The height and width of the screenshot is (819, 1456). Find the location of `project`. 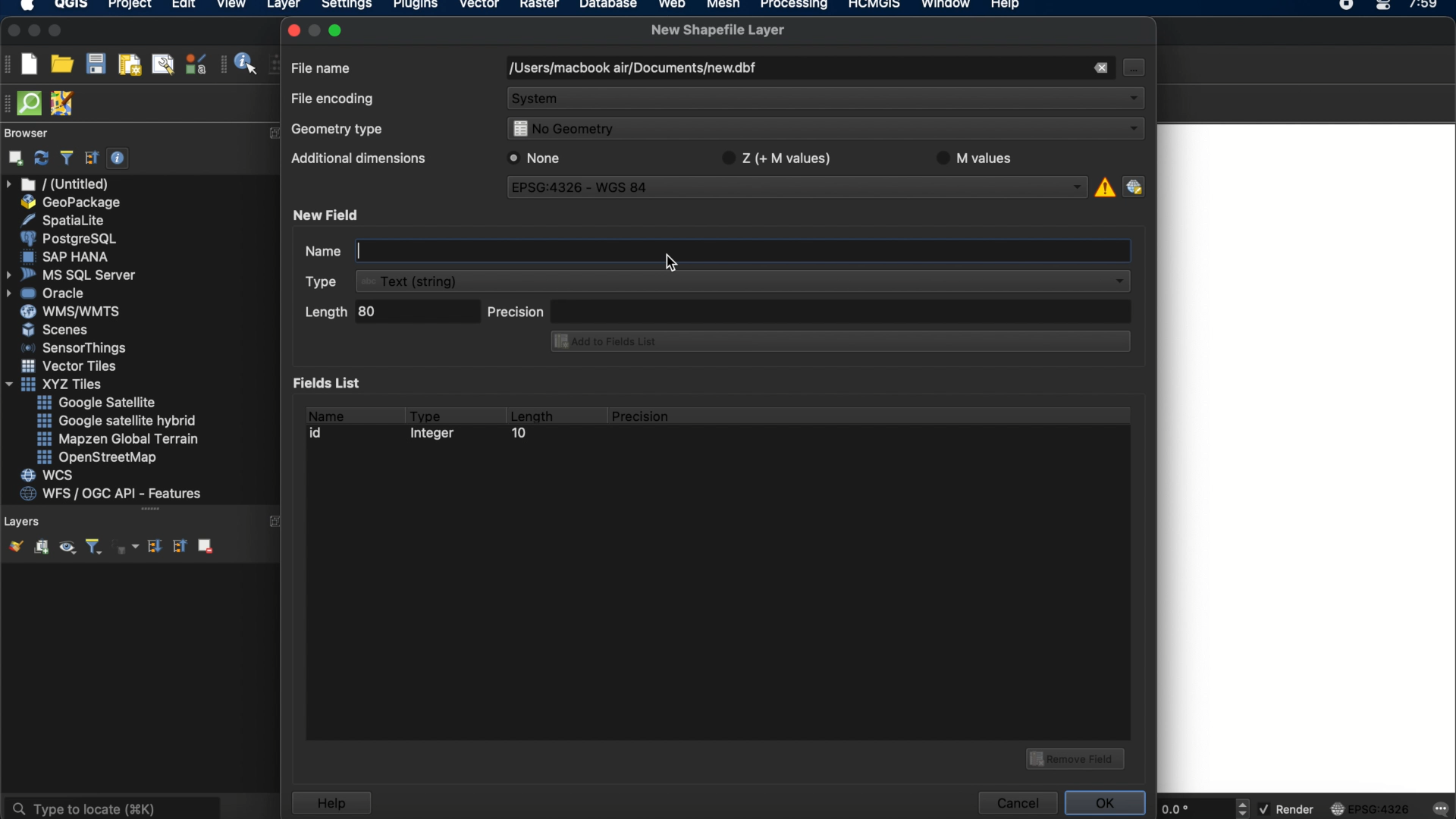

project is located at coordinates (127, 6).